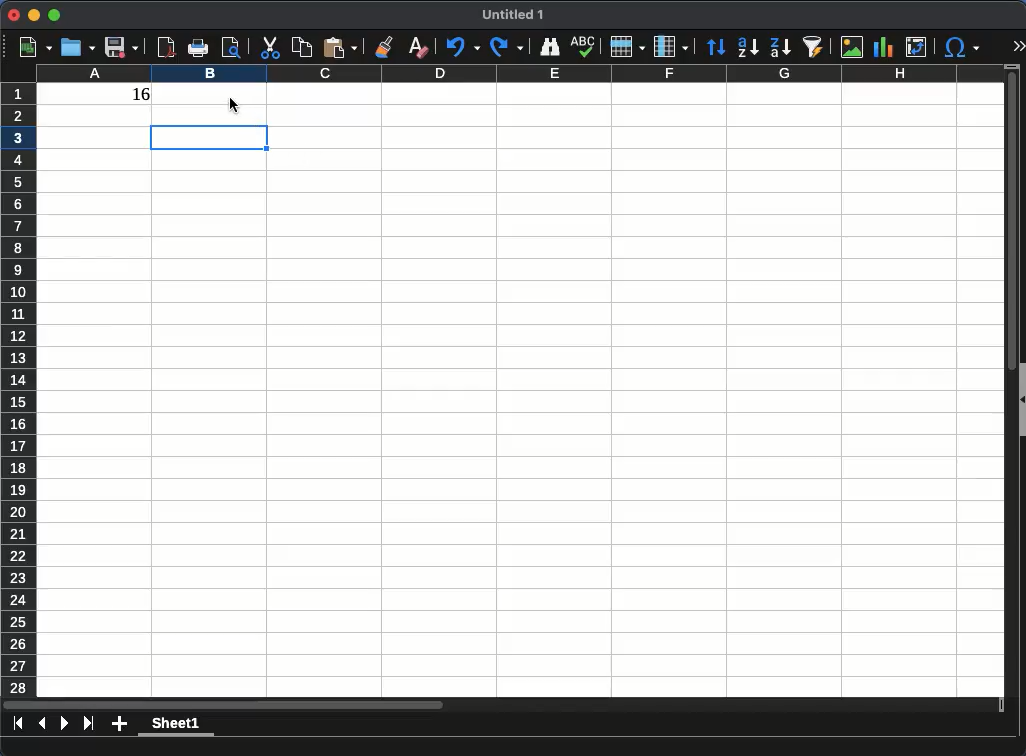  Describe the element at coordinates (506, 15) in the screenshot. I see `Untitled 1` at that location.